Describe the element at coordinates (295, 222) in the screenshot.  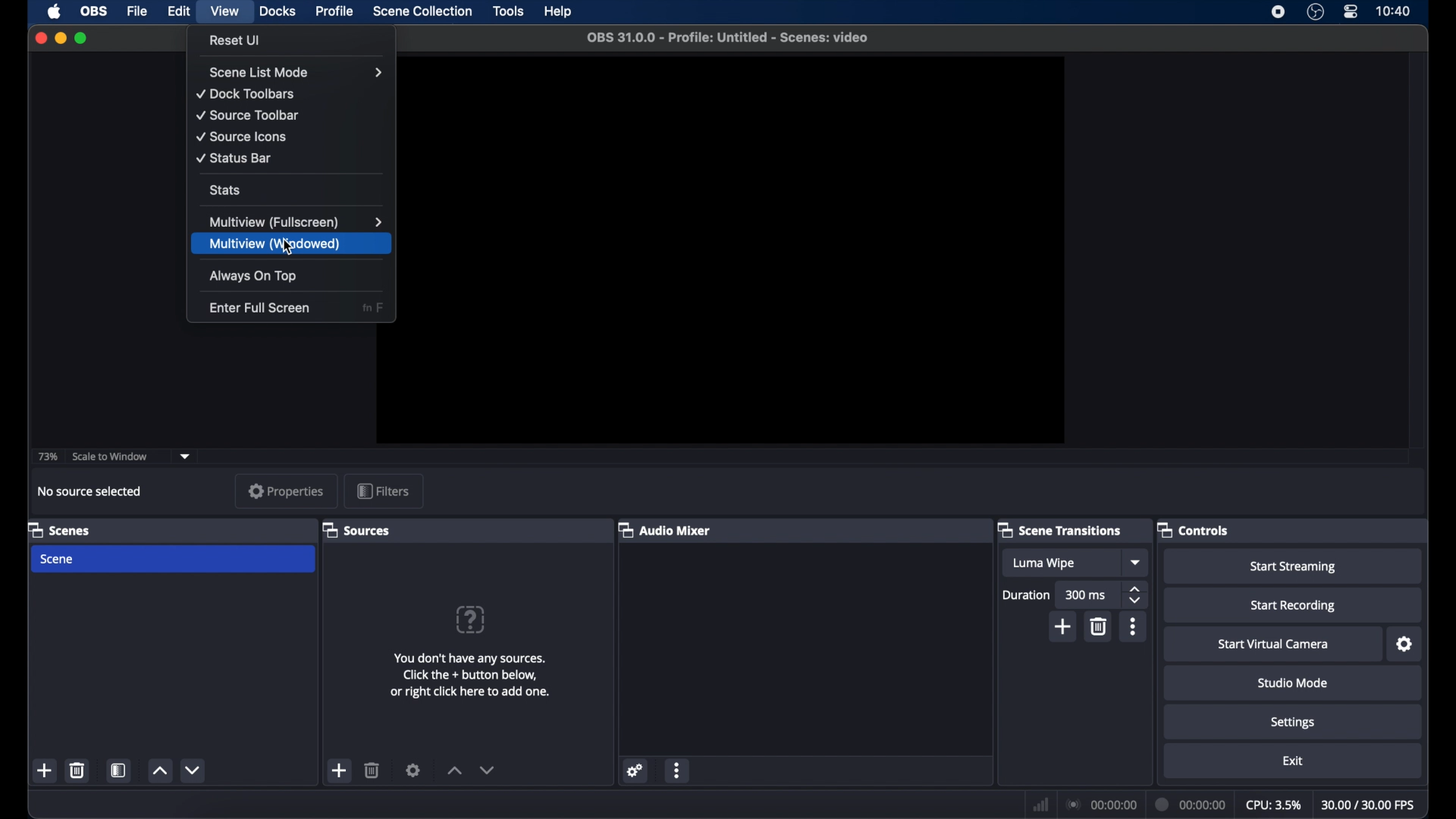
I see `multiview (fullscreen)` at that location.